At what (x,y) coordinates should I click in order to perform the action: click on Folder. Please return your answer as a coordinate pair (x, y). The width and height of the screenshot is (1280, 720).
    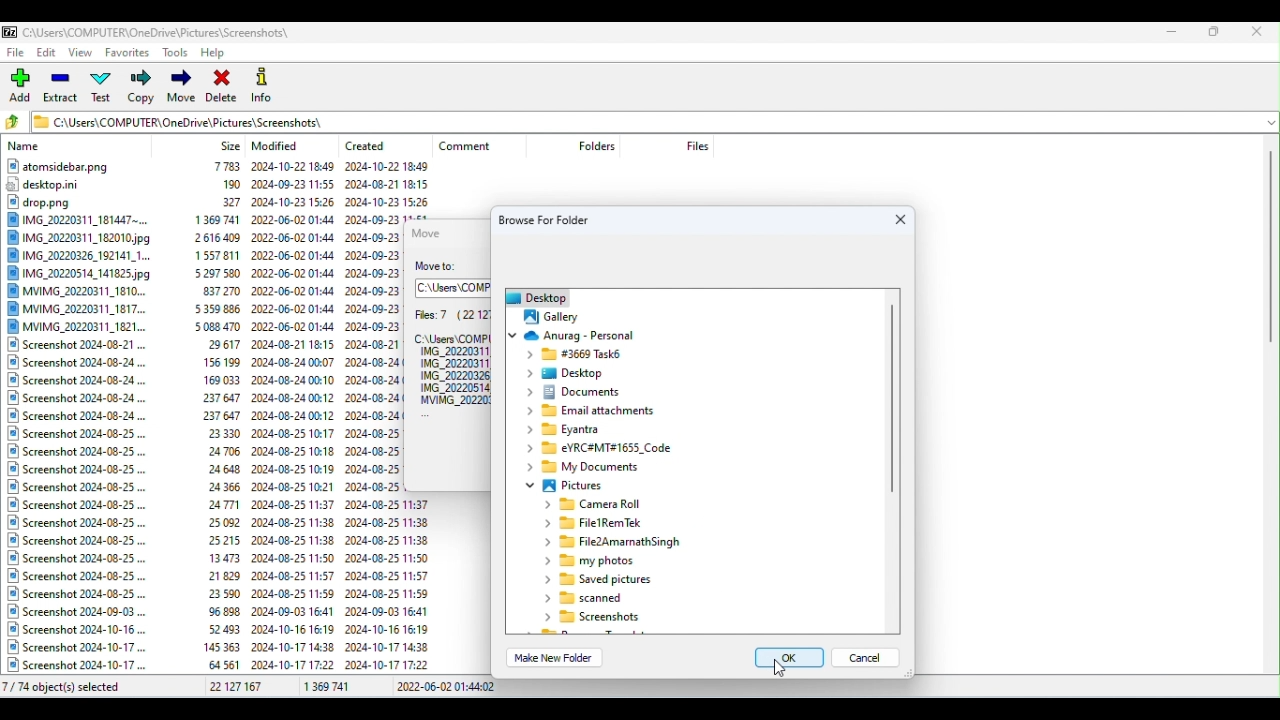
    Looking at the image, I should click on (586, 469).